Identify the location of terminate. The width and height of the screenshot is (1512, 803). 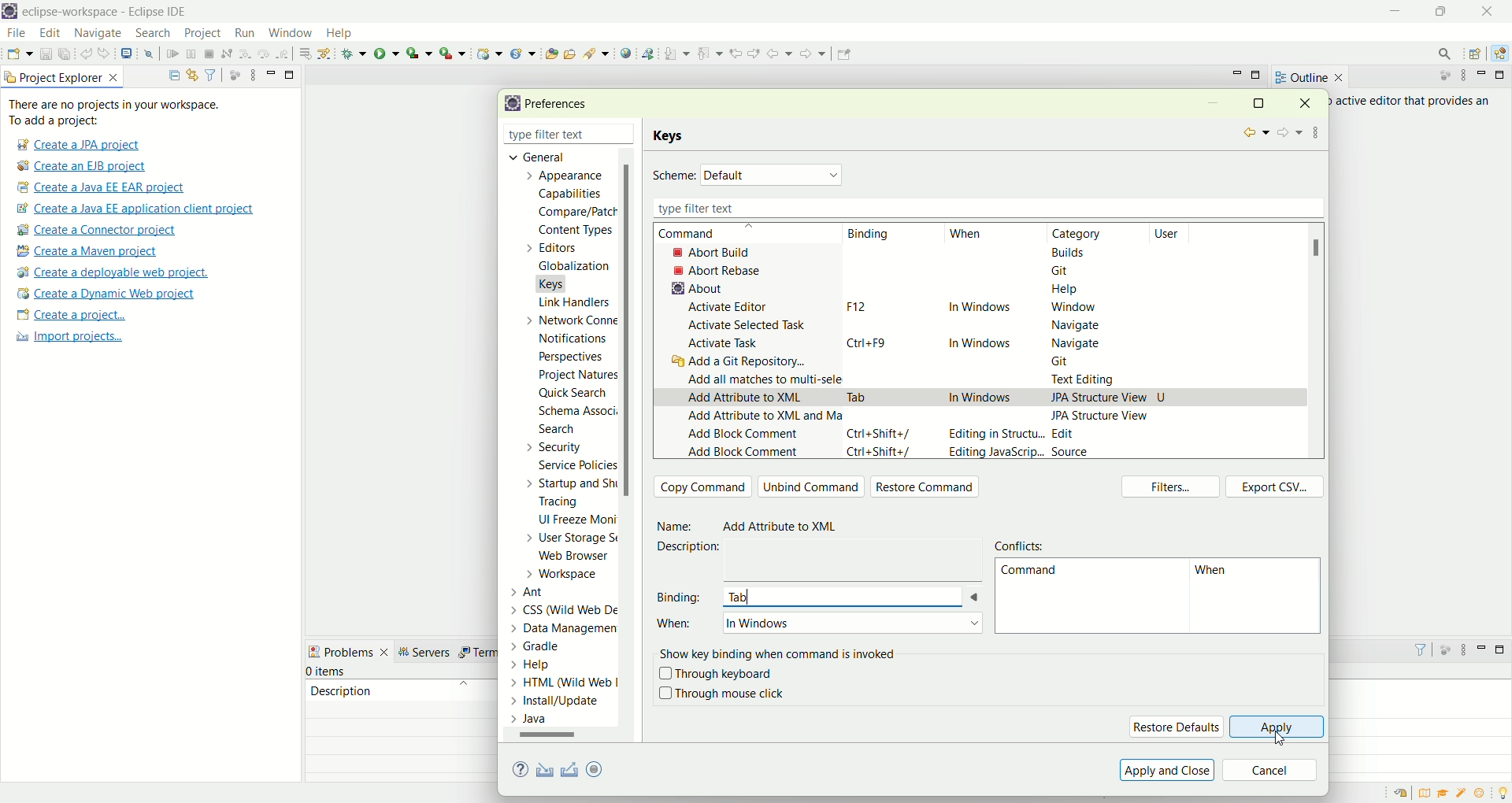
(209, 55).